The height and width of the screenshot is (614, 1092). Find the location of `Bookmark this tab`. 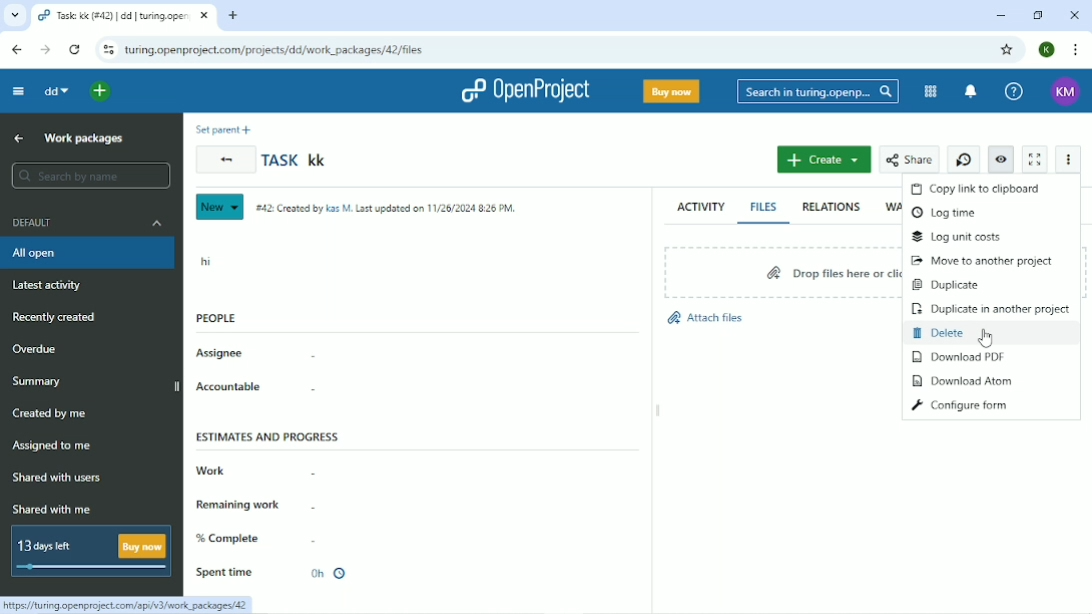

Bookmark this tab is located at coordinates (1007, 50).